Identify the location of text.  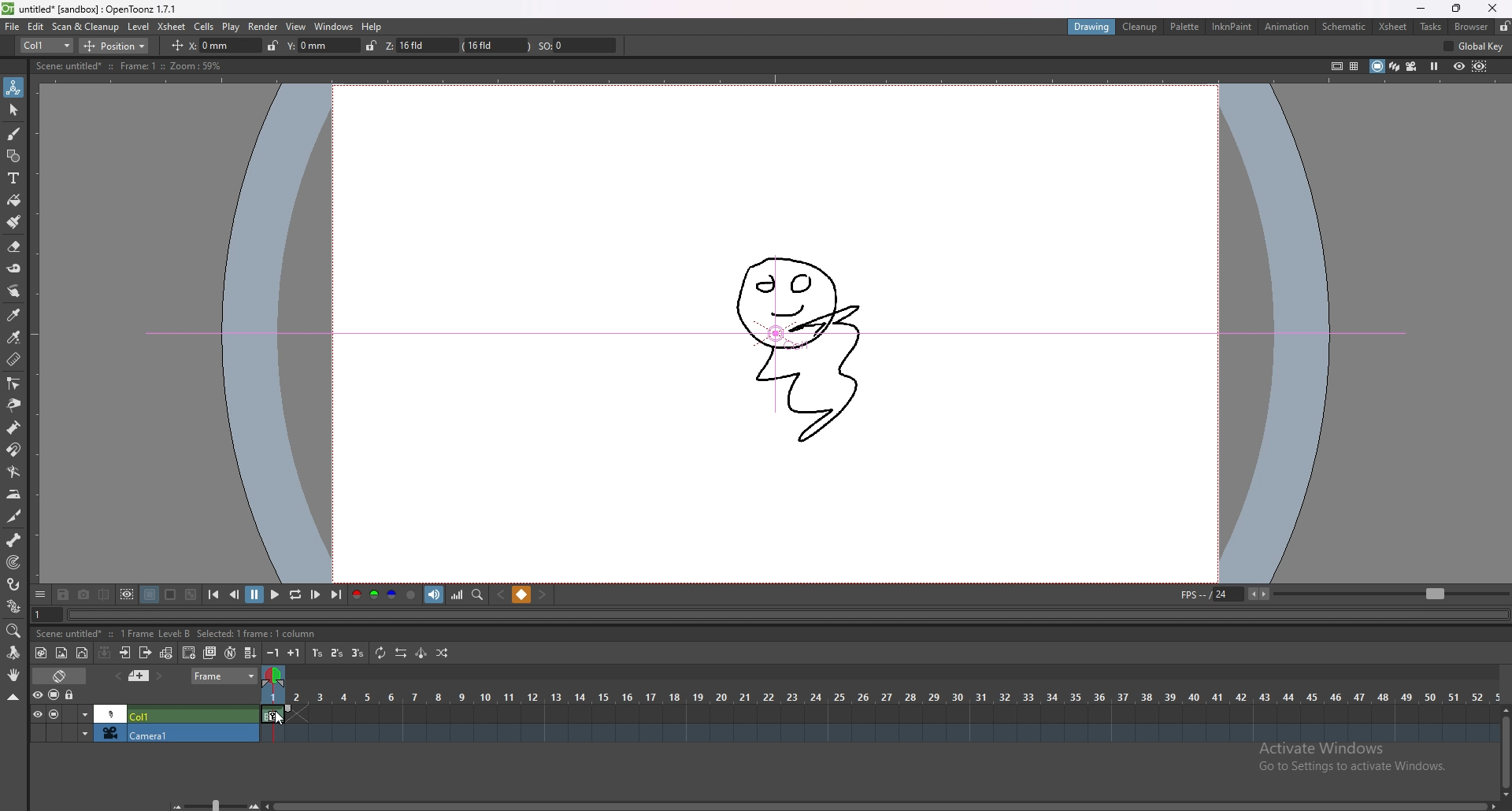
(14, 178).